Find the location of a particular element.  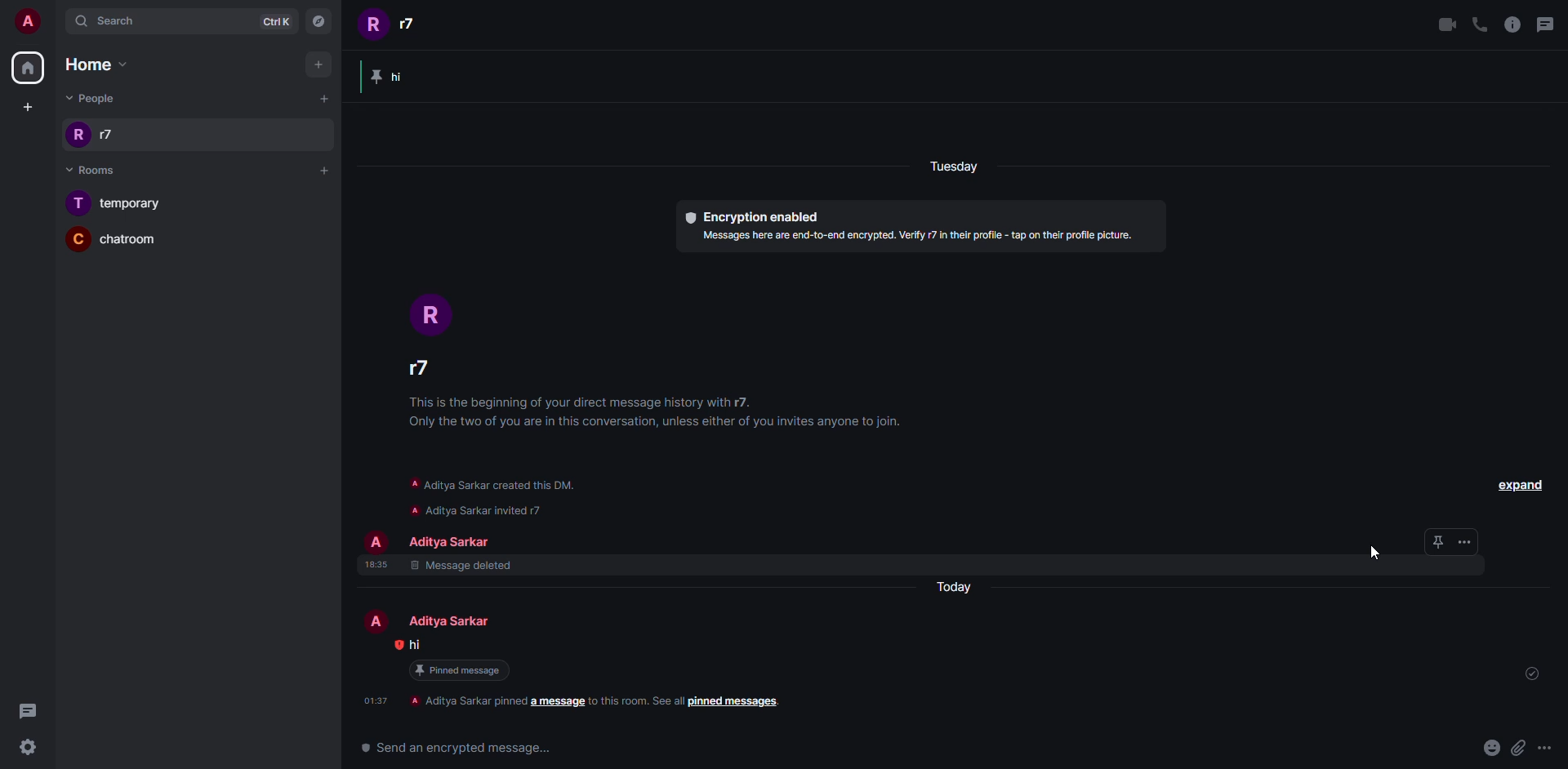

room is located at coordinates (120, 204).